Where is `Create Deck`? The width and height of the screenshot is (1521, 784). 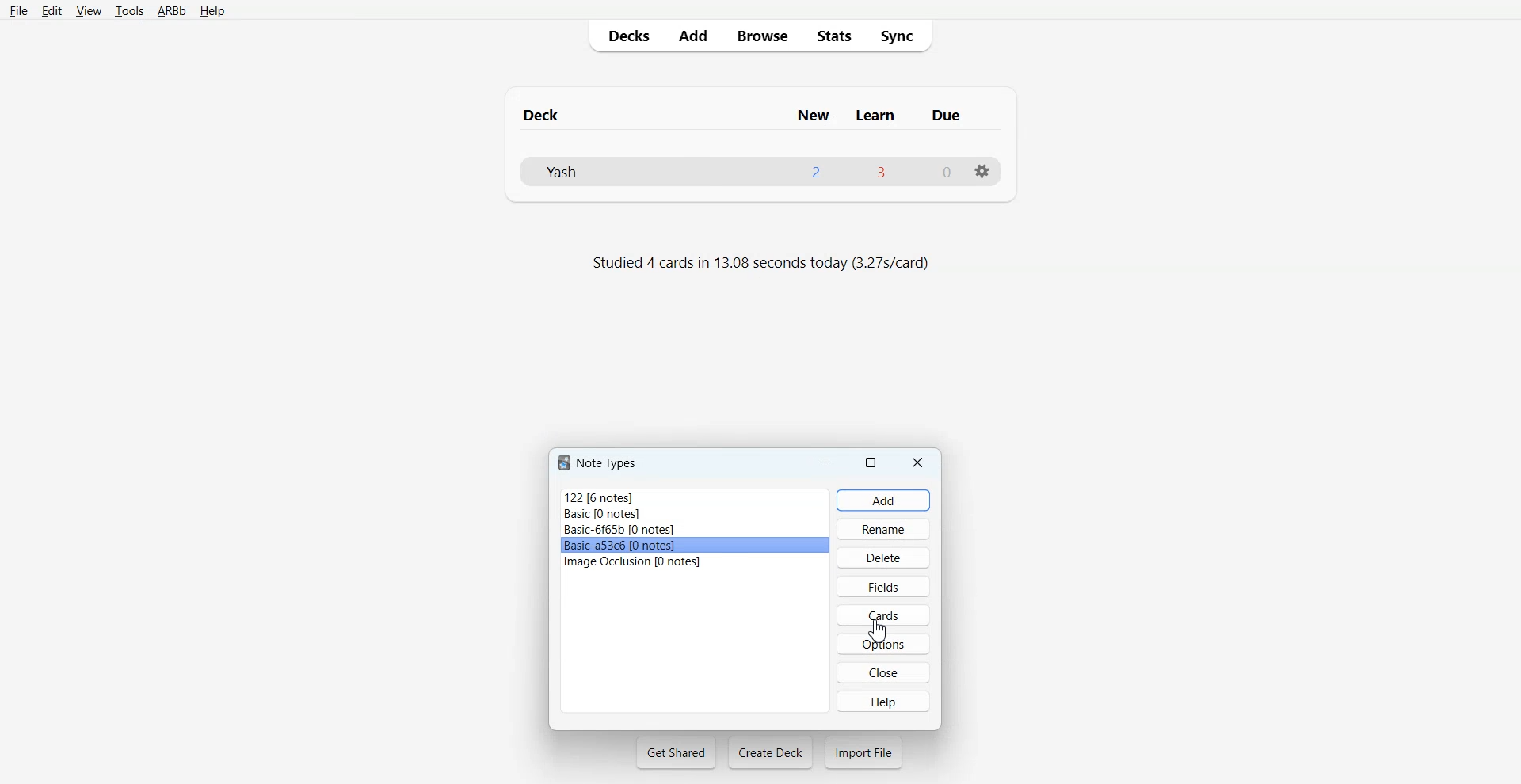
Create Deck is located at coordinates (770, 752).